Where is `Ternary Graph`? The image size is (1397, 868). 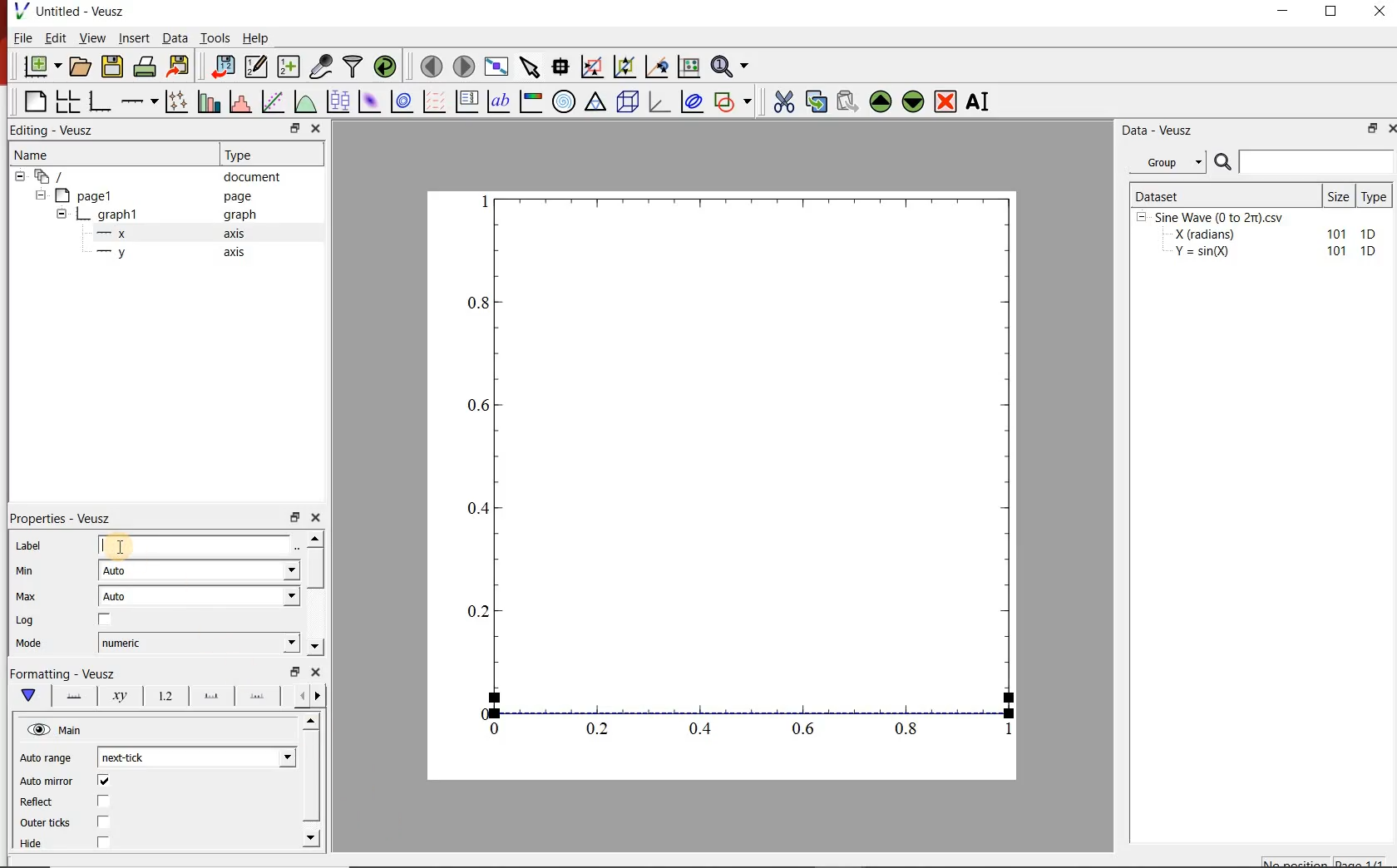 Ternary Graph is located at coordinates (596, 101).